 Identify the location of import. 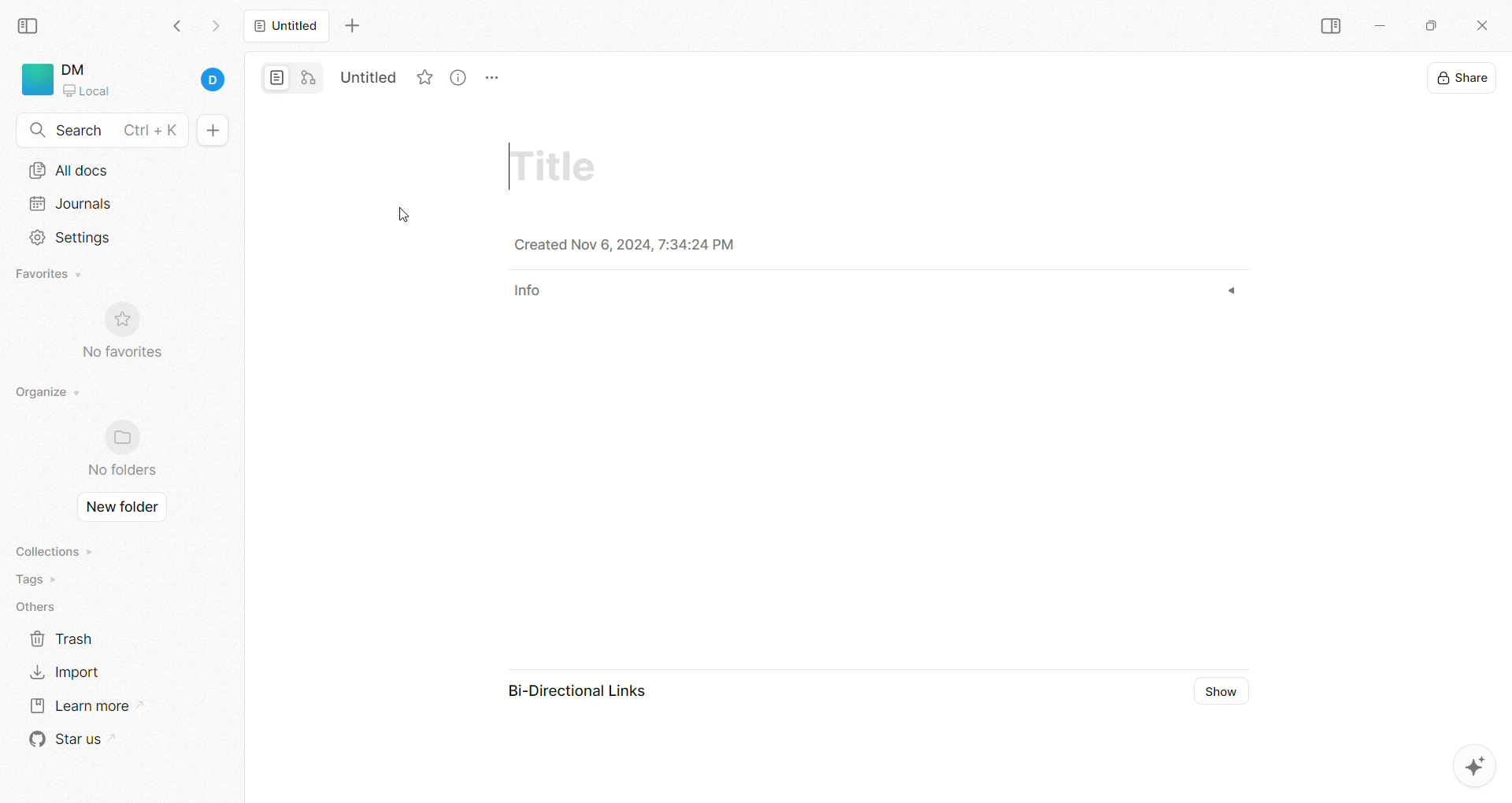
(63, 672).